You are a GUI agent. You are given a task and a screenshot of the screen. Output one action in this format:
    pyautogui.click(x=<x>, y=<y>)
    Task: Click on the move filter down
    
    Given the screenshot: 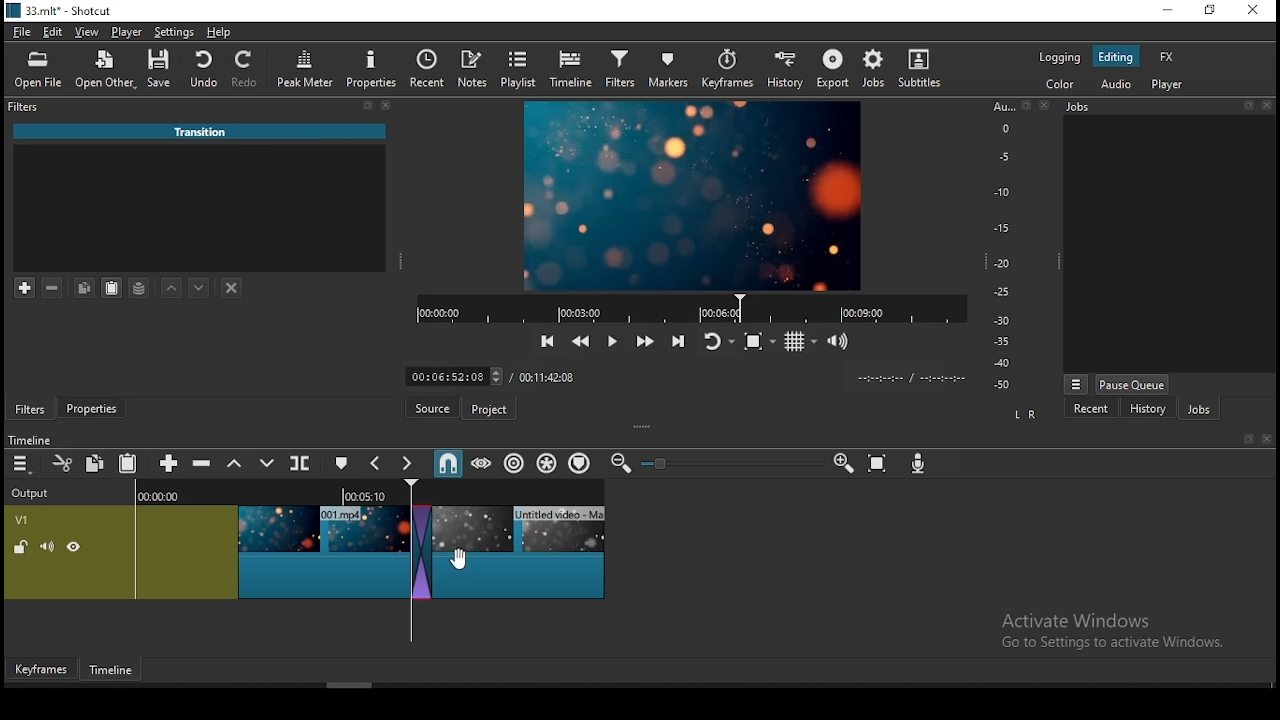 What is the action you would take?
    pyautogui.click(x=207, y=286)
    